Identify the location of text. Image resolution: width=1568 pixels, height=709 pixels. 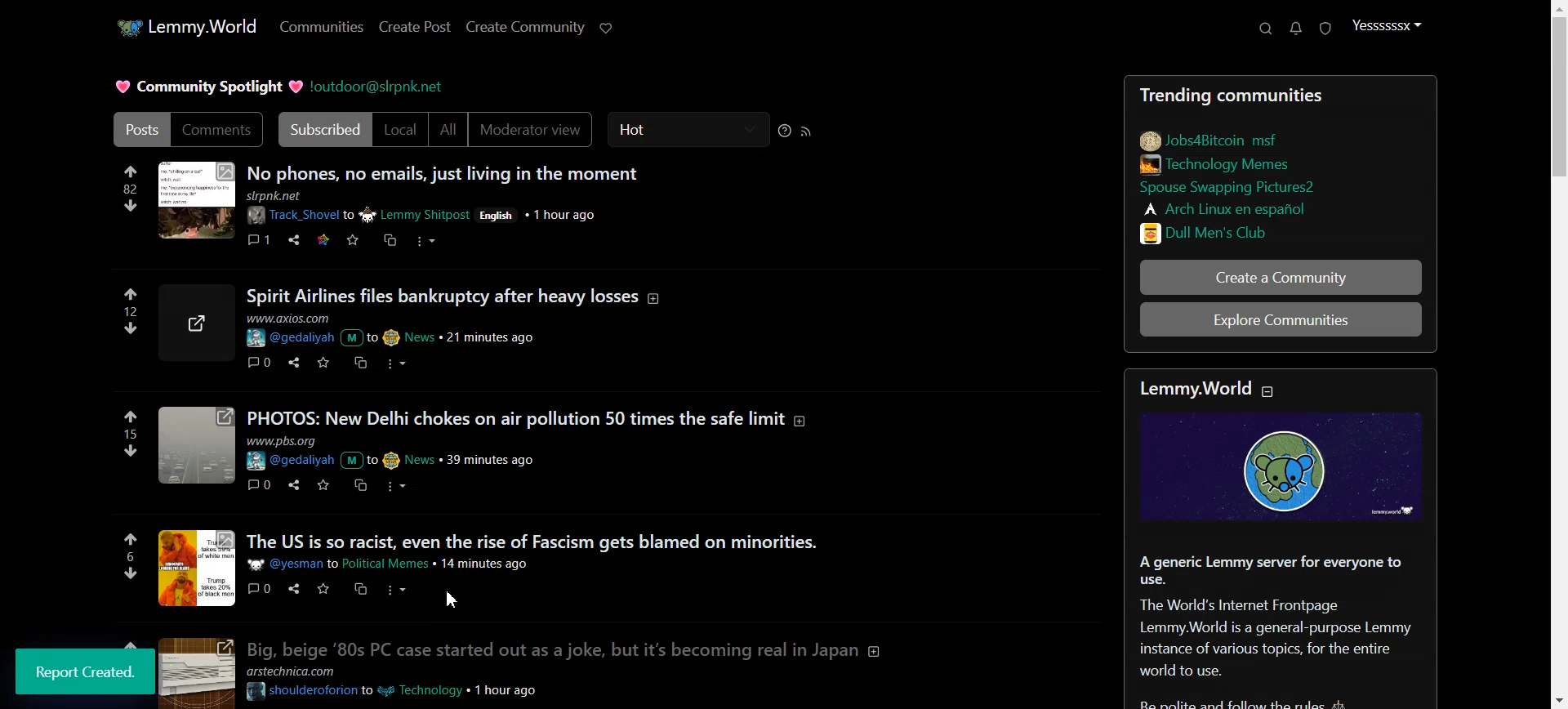
(303, 671).